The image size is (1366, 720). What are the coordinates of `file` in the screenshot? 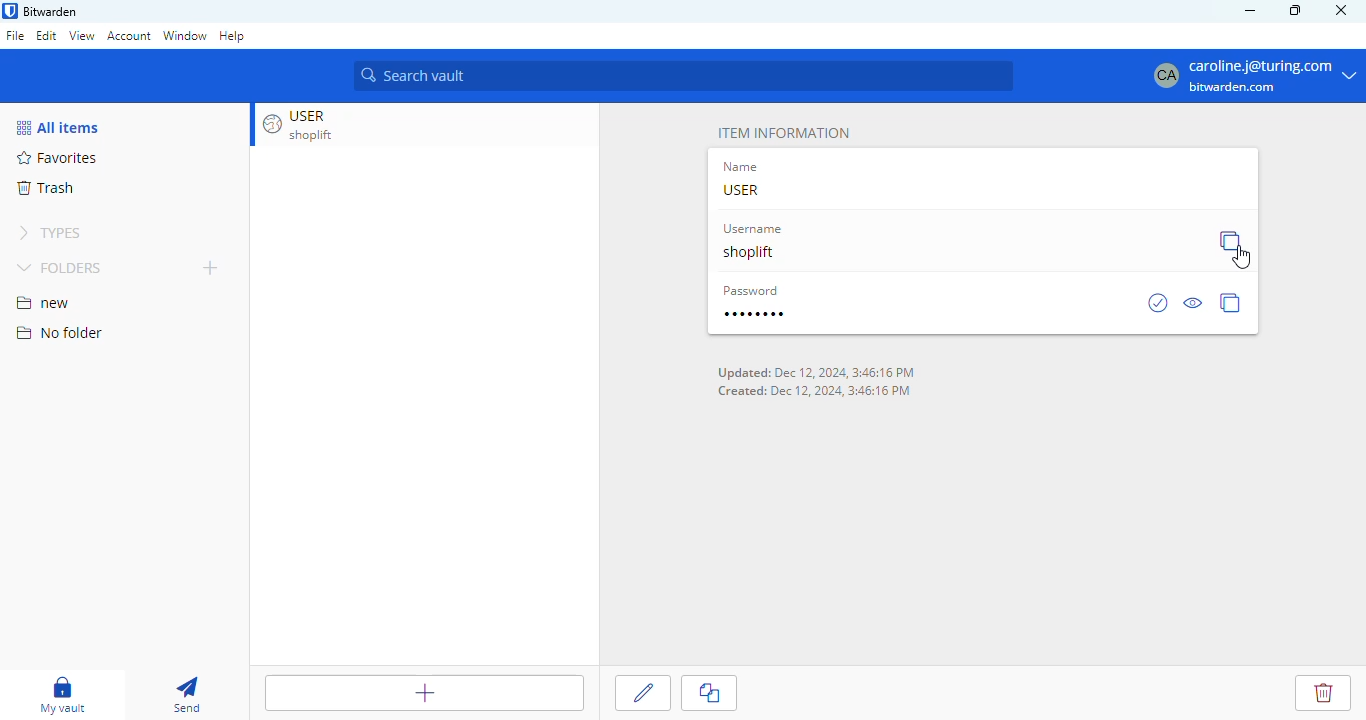 It's located at (15, 35).